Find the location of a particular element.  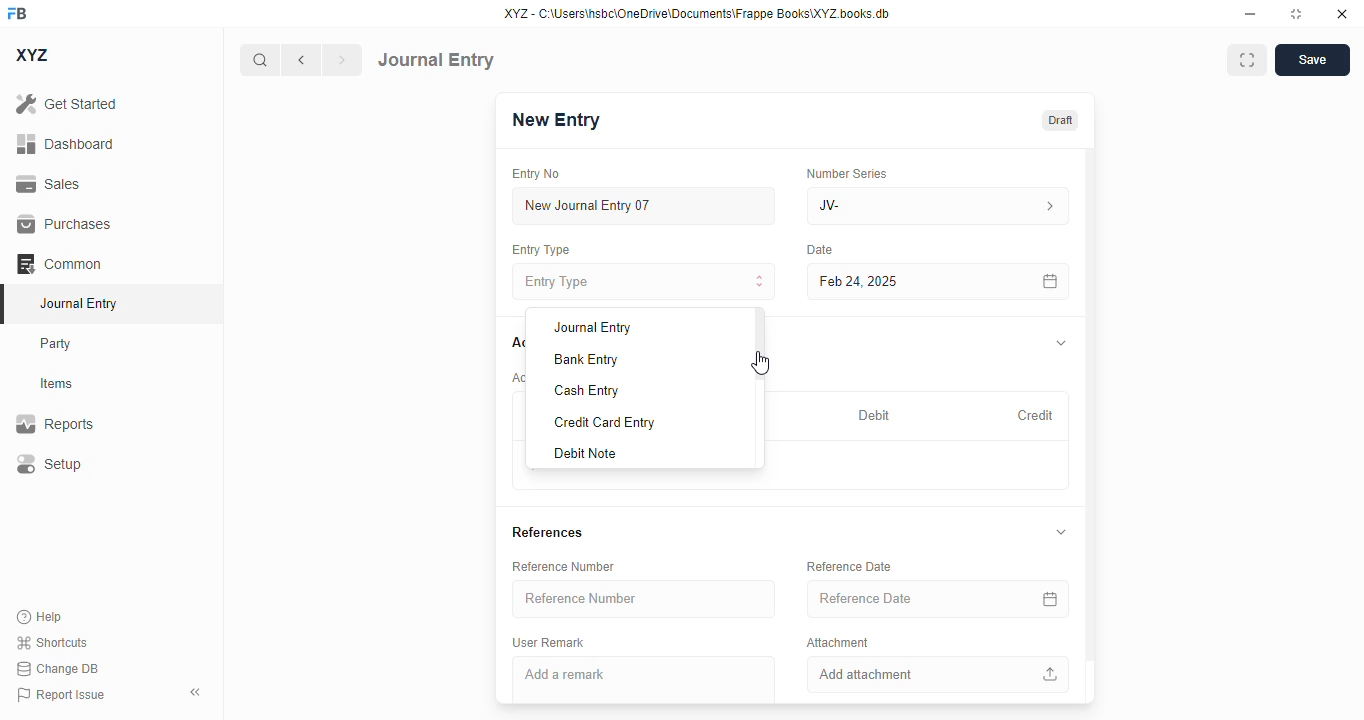

user remark is located at coordinates (550, 642).